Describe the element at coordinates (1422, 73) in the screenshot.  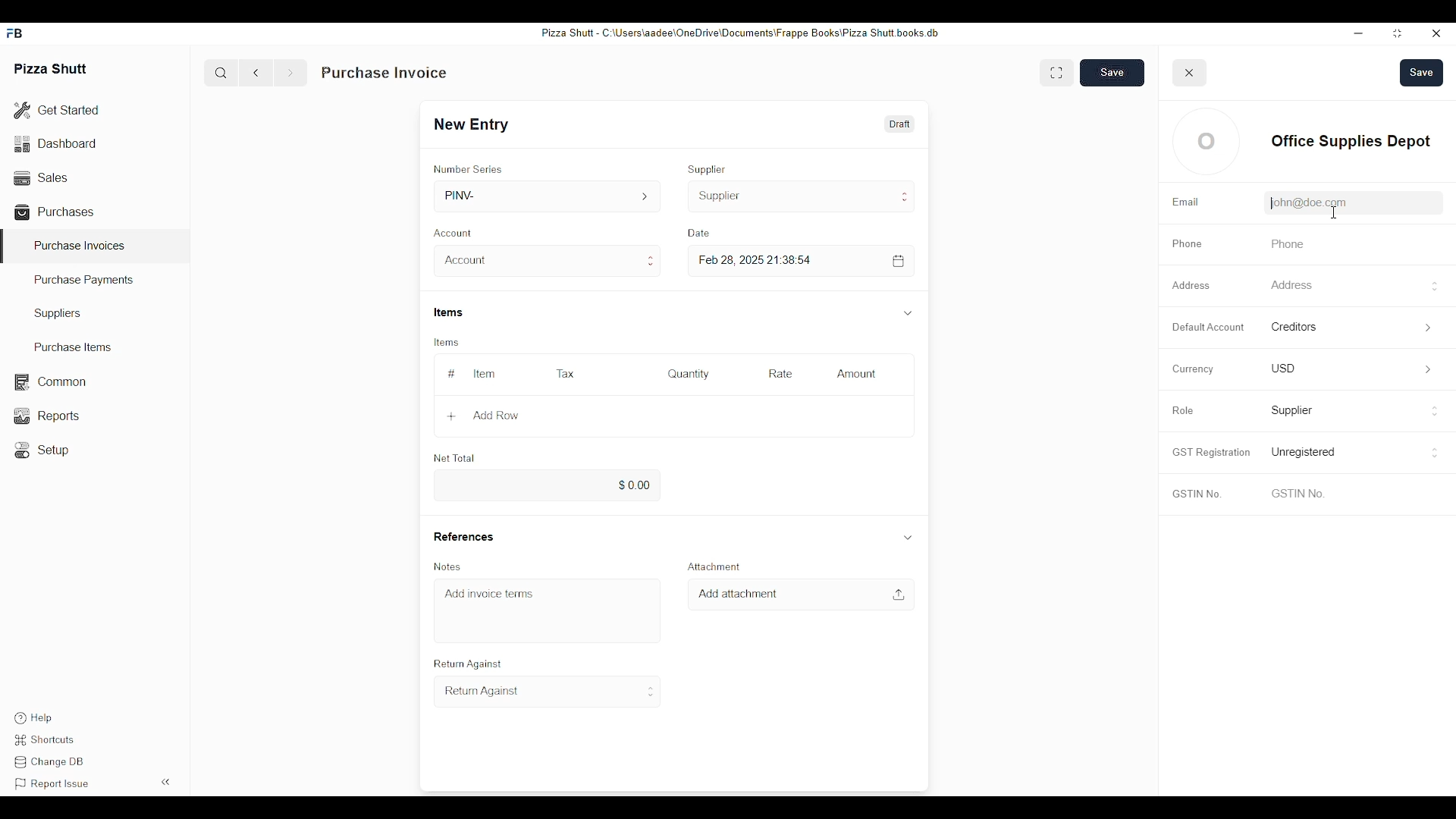
I see `Save` at that location.